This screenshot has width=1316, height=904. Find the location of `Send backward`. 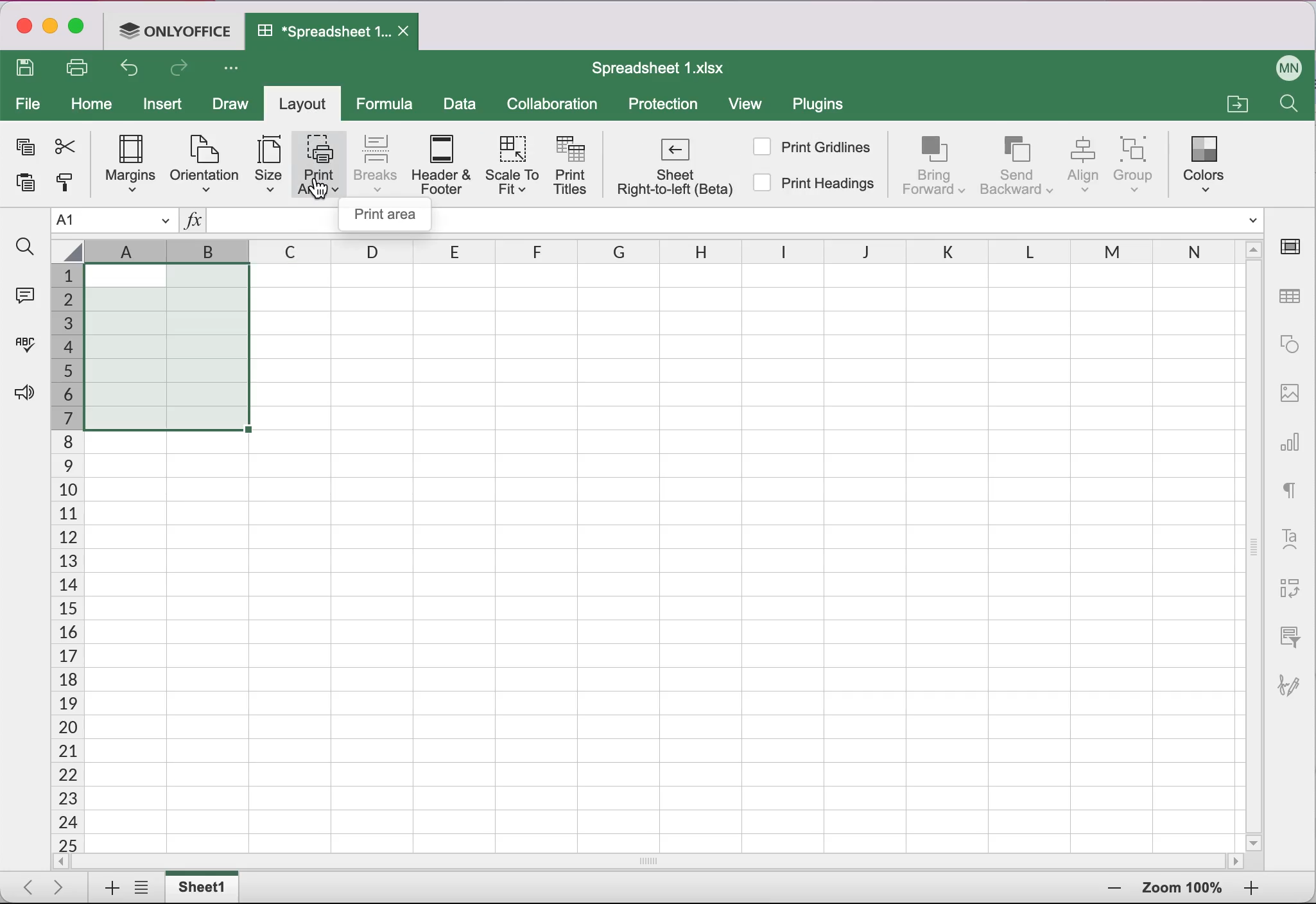

Send backward is located at coordinates (1017, 164).